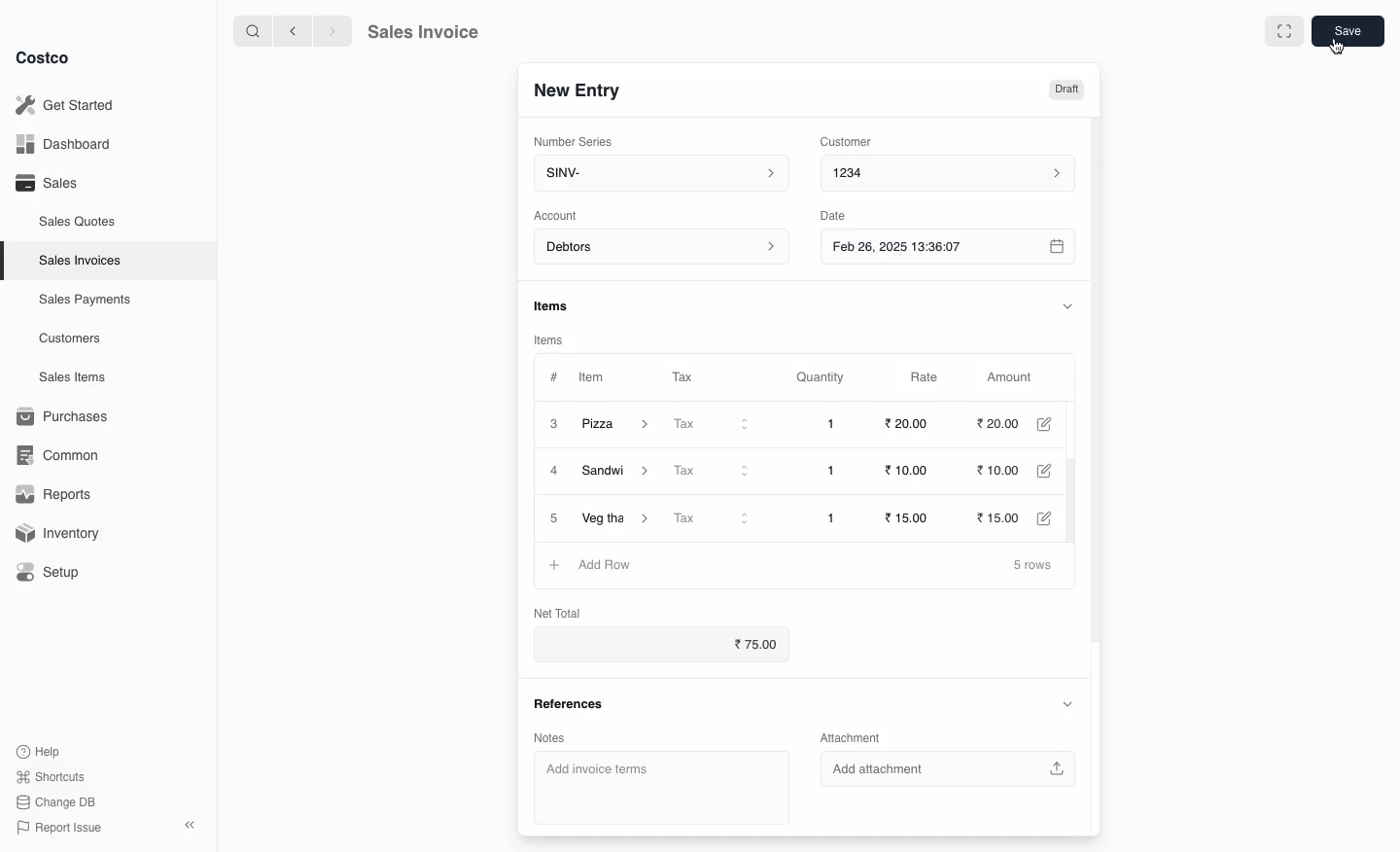 The image size is (1400, 852). Describe the element at coordinates (1053, 517) in the screenshot. I see `Edit` at that location.